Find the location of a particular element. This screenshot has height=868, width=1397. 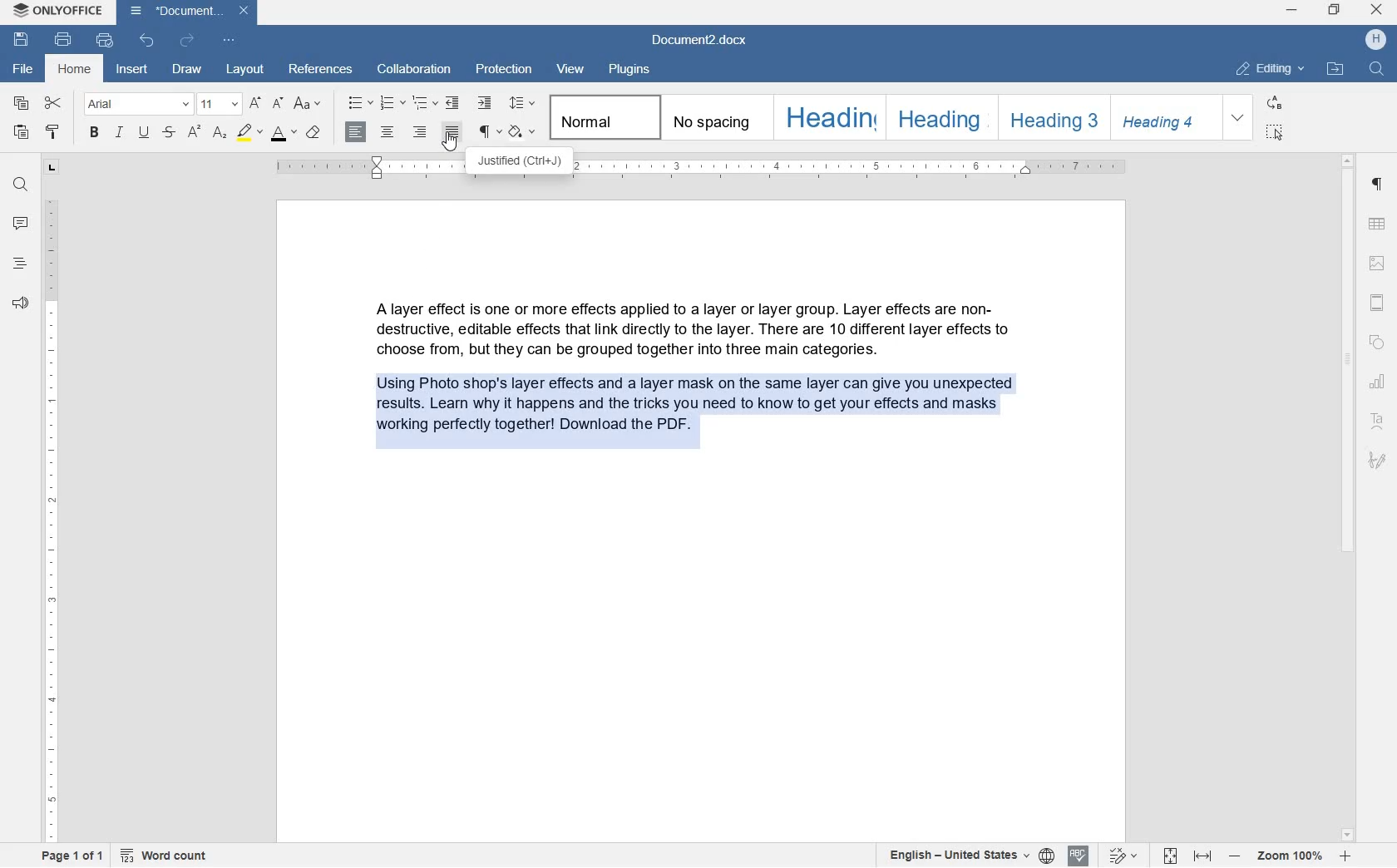

TAB STOP is located at coordinates (52, 167).